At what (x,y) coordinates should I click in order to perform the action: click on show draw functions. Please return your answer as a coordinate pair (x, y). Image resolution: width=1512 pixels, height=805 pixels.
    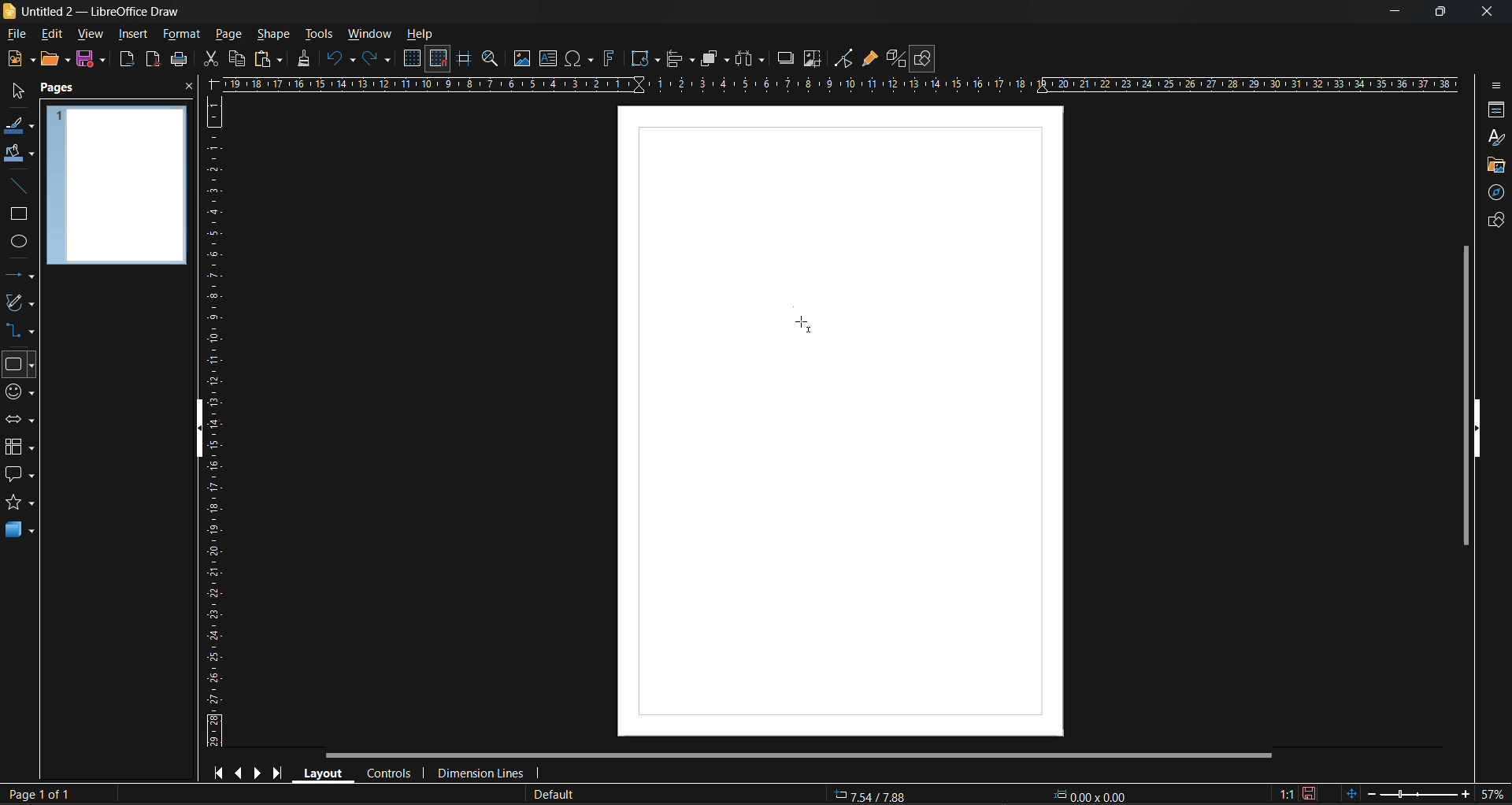
    Looking at the image, I should click on (925, 59).